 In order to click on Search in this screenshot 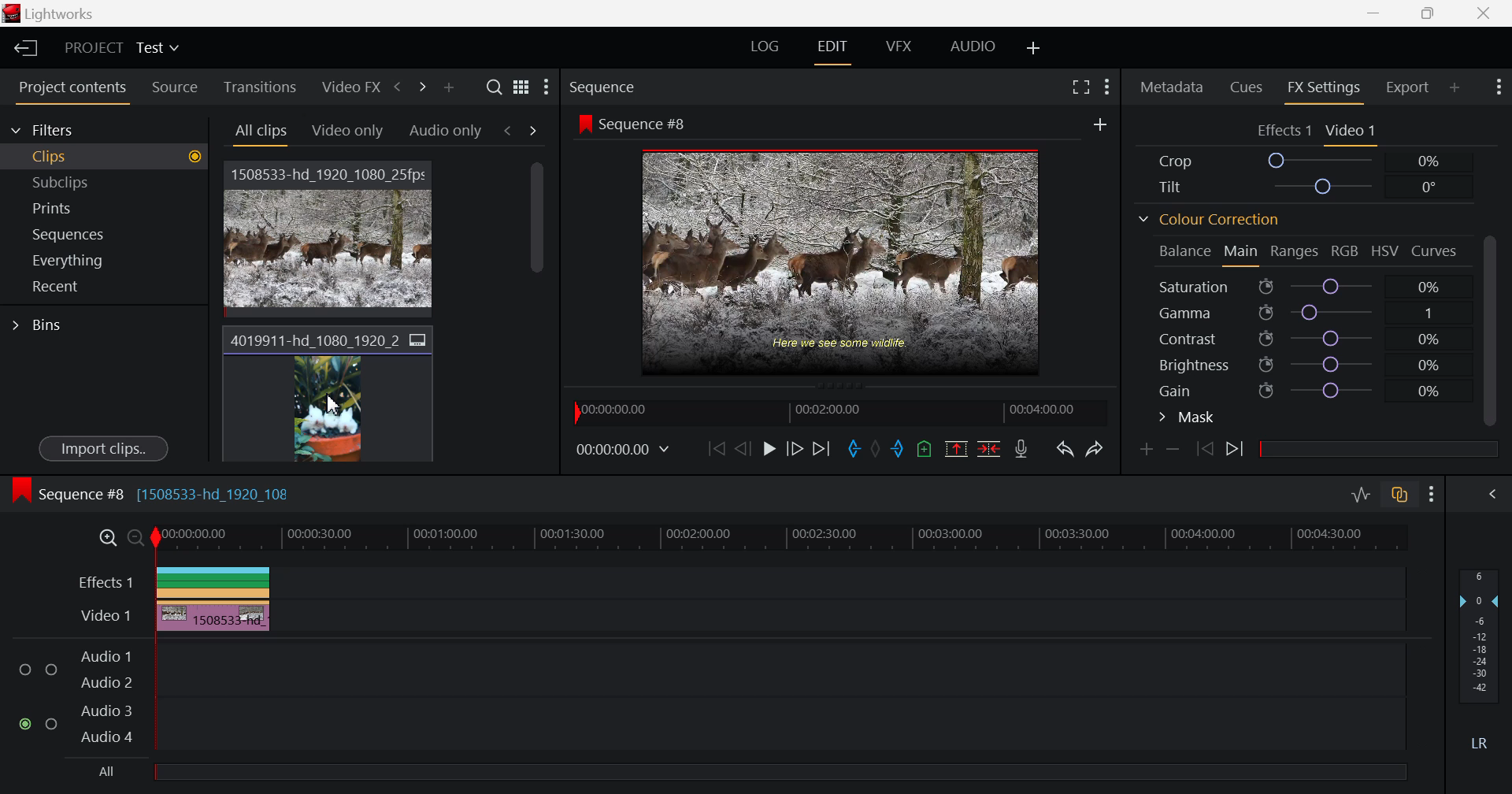, I will do `click(493, 86)`.